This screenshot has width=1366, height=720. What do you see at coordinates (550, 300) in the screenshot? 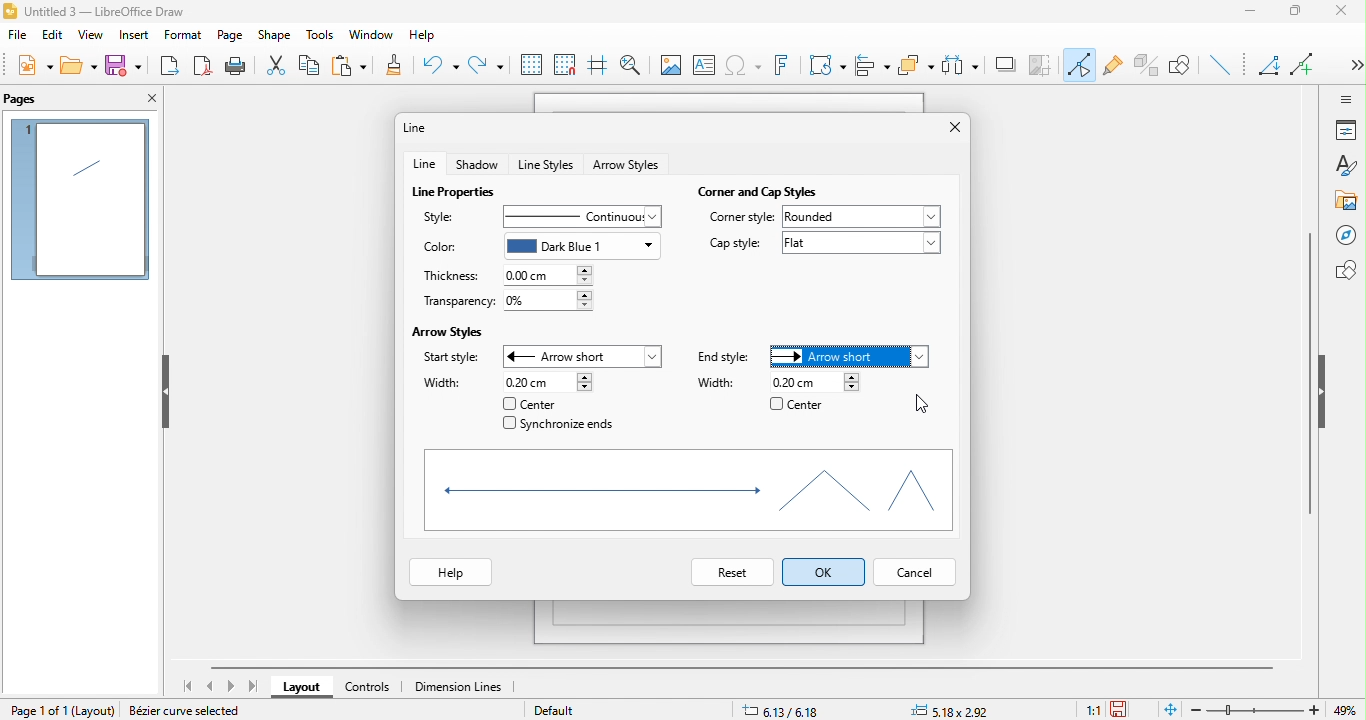
I see `0%` at bounding box center [550, 300].